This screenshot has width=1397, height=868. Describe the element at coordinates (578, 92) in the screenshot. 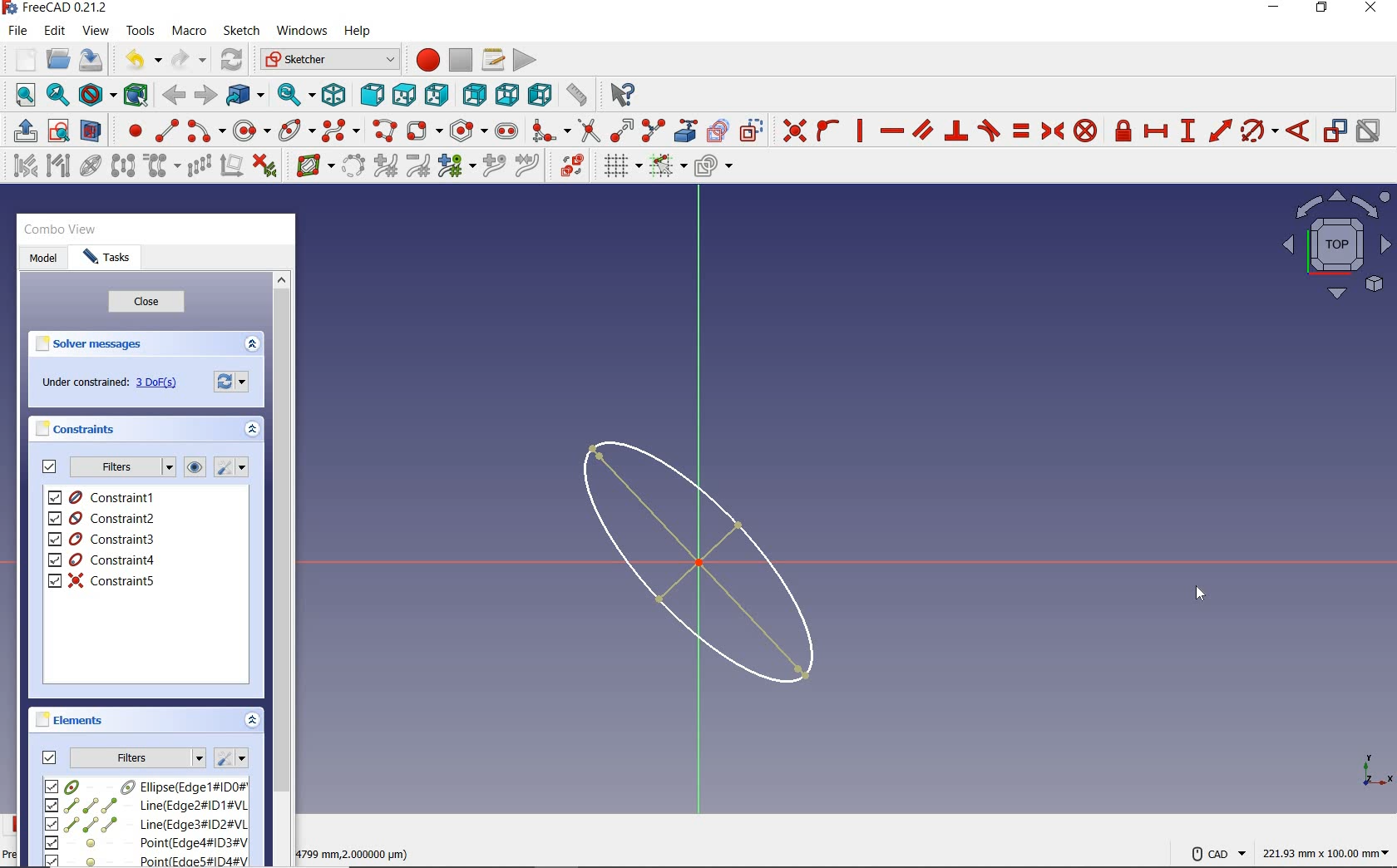

I see `measure distance` at that location.